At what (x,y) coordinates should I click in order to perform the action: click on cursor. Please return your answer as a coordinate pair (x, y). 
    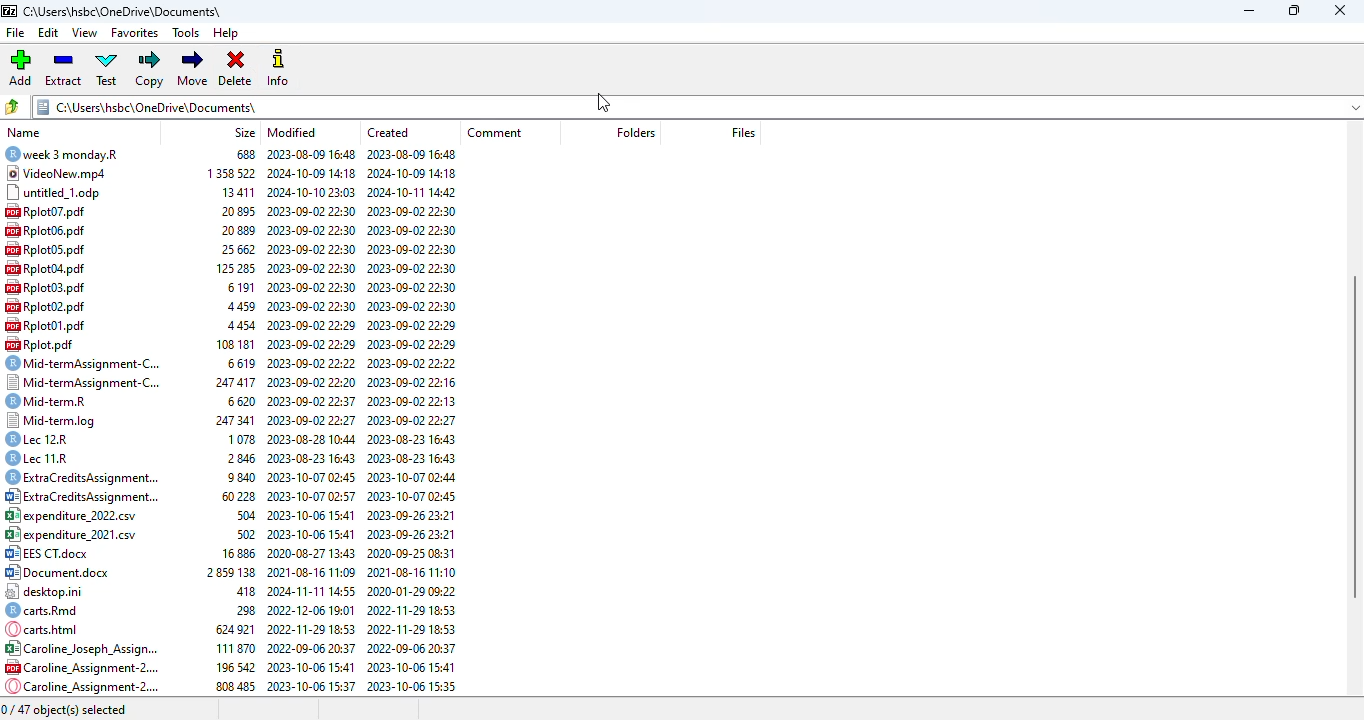
    Looking at the image, I should click on (256, 74).